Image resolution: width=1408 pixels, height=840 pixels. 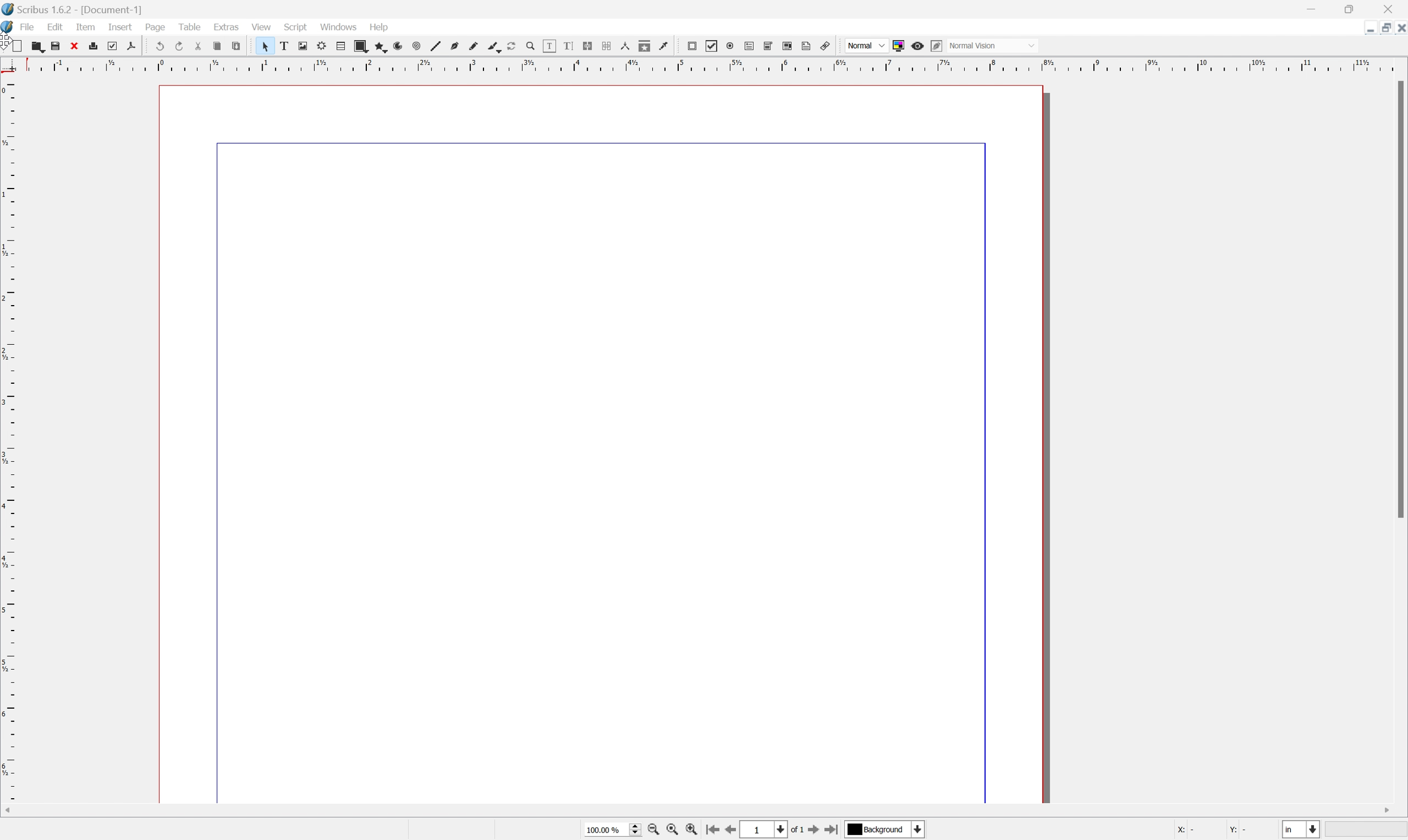 What do you see at coordinates (341, 46) in the screenshot?
I see `table` at bounding box center [341, 46].